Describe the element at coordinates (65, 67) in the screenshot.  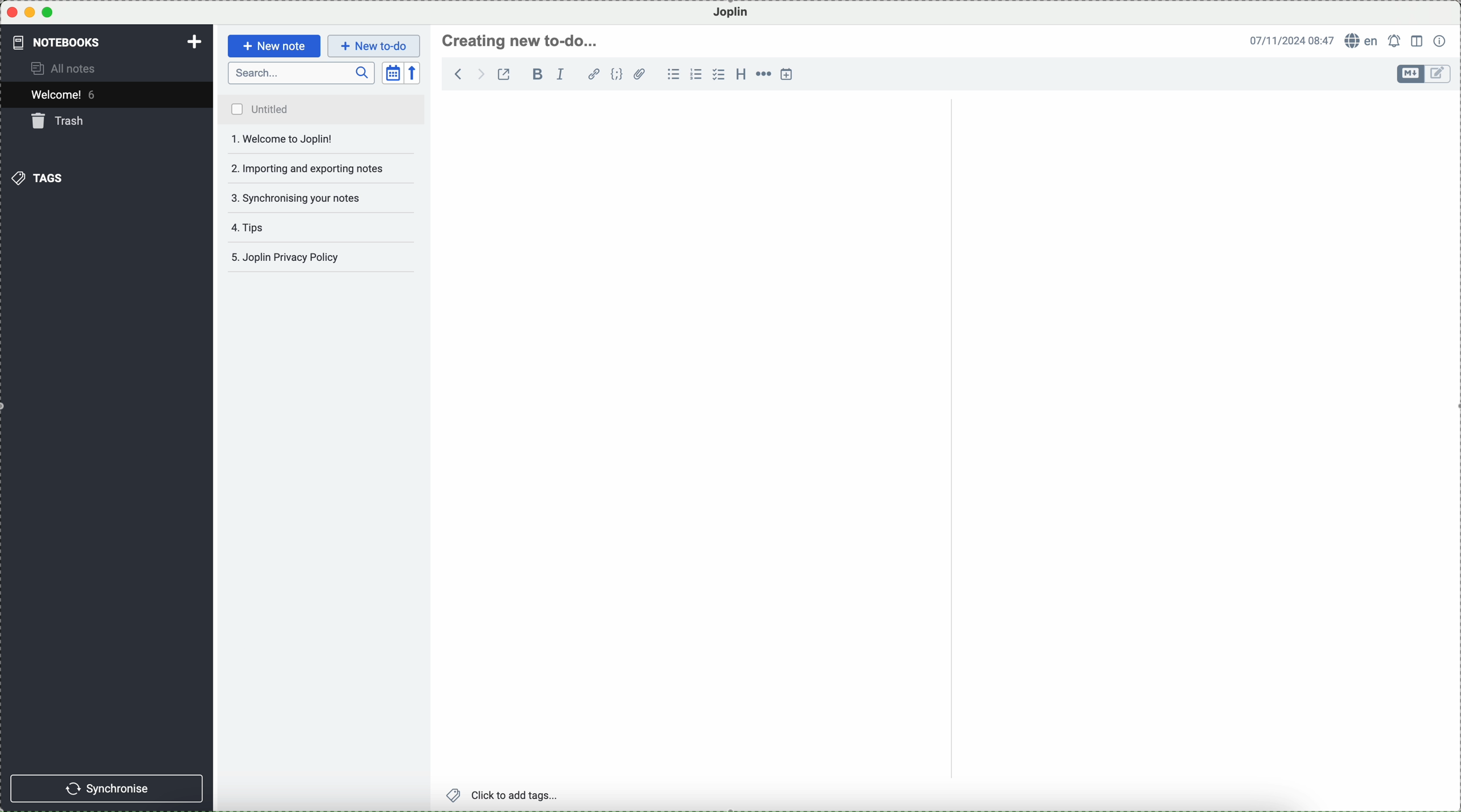
I see `all notes` at that location.